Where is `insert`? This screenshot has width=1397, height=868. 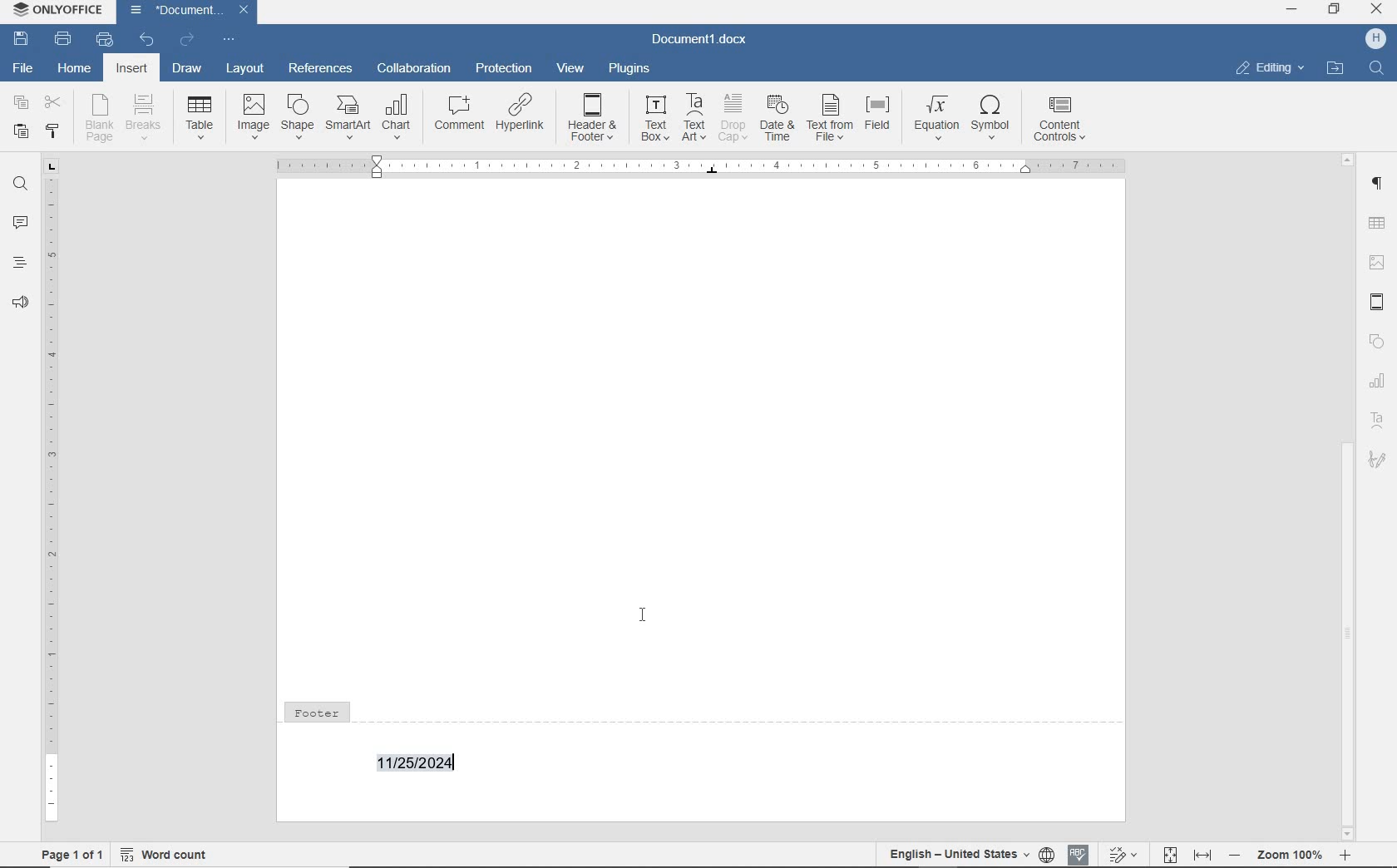
insert is located at coordinates (132, 68).